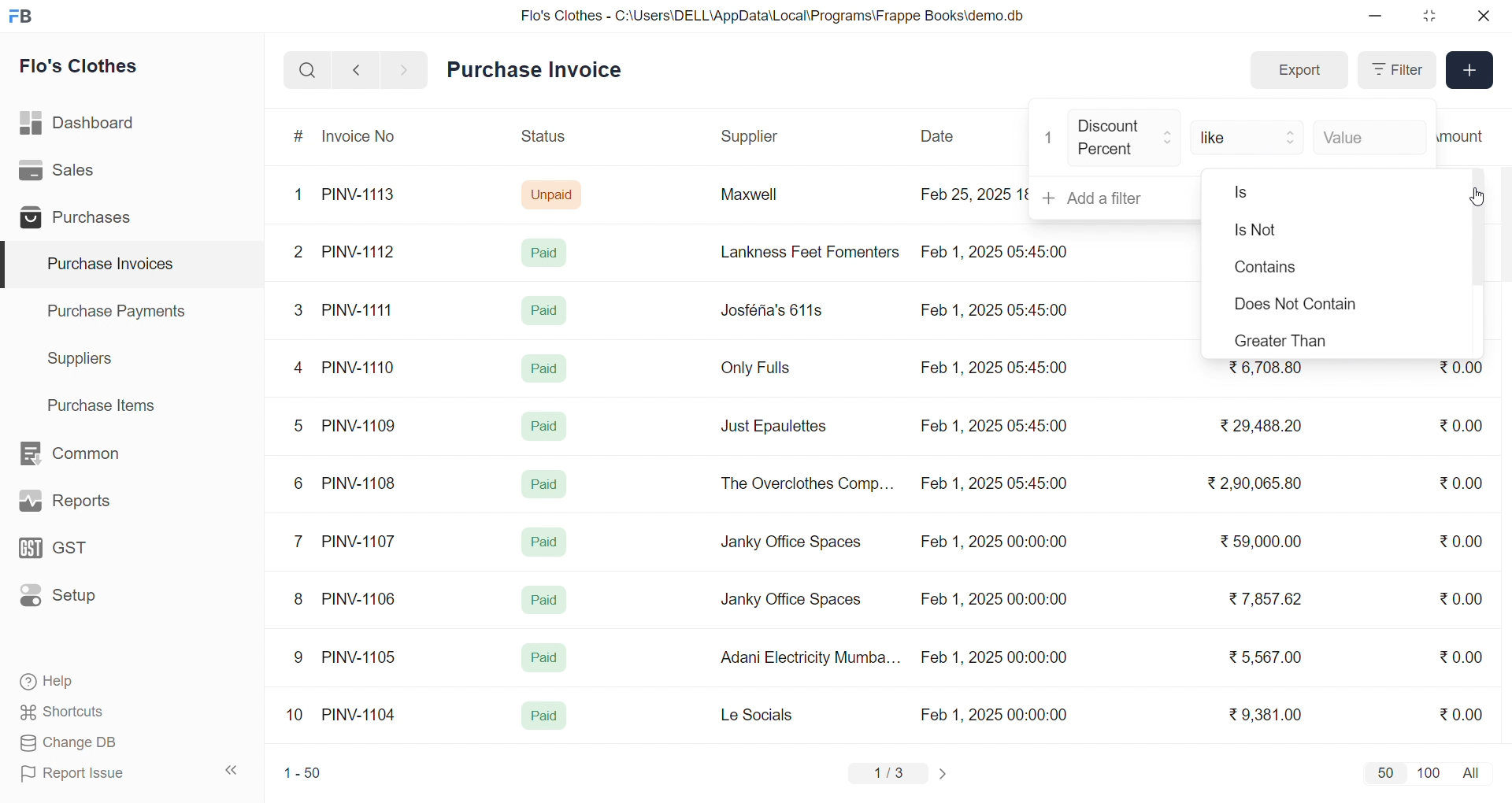 This screenshot has height=803, width=1512. I want to click on collapse sidebar, so click(232, 771).